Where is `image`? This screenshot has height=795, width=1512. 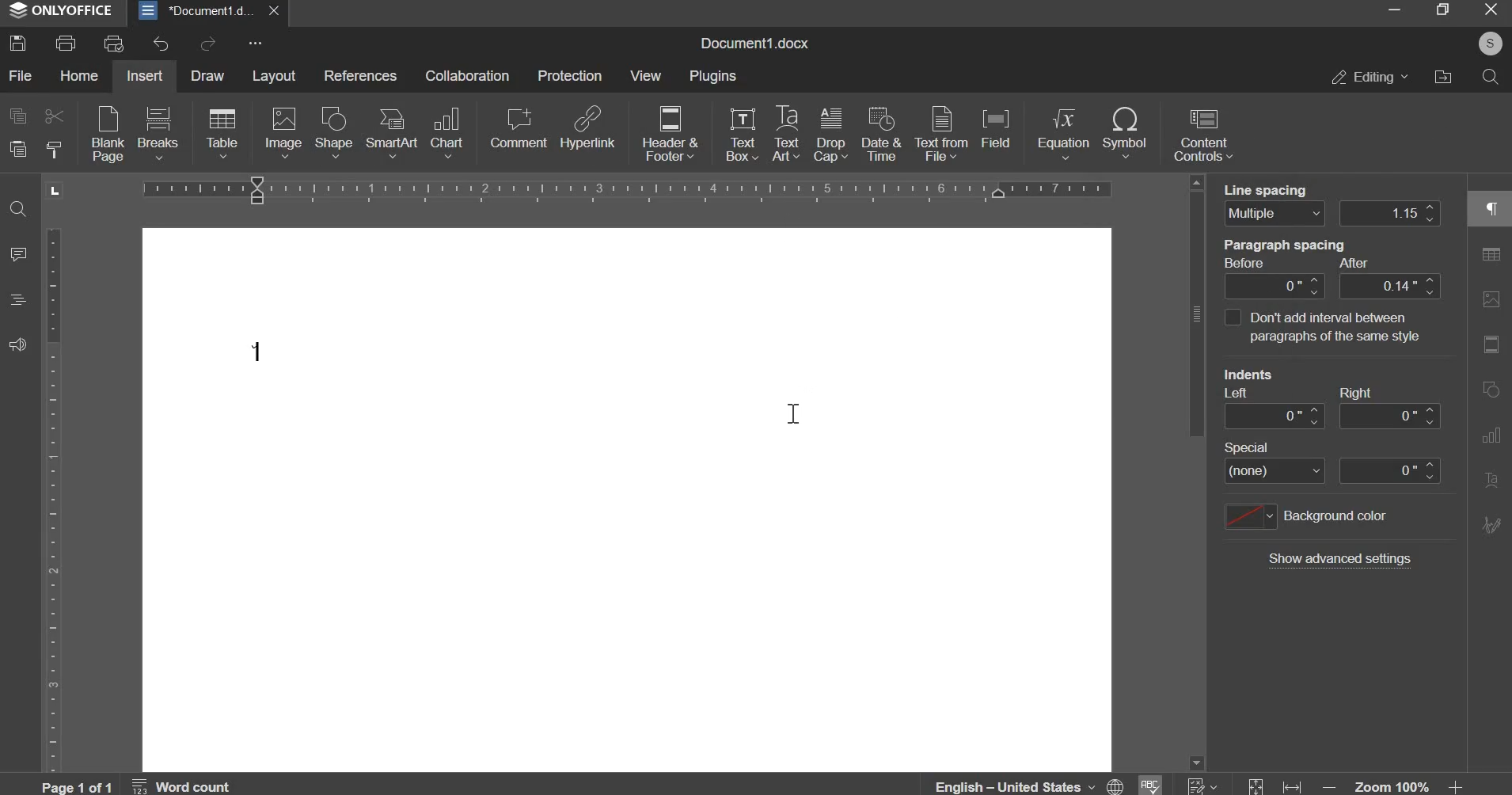 image is located at coordinates (283, 131).